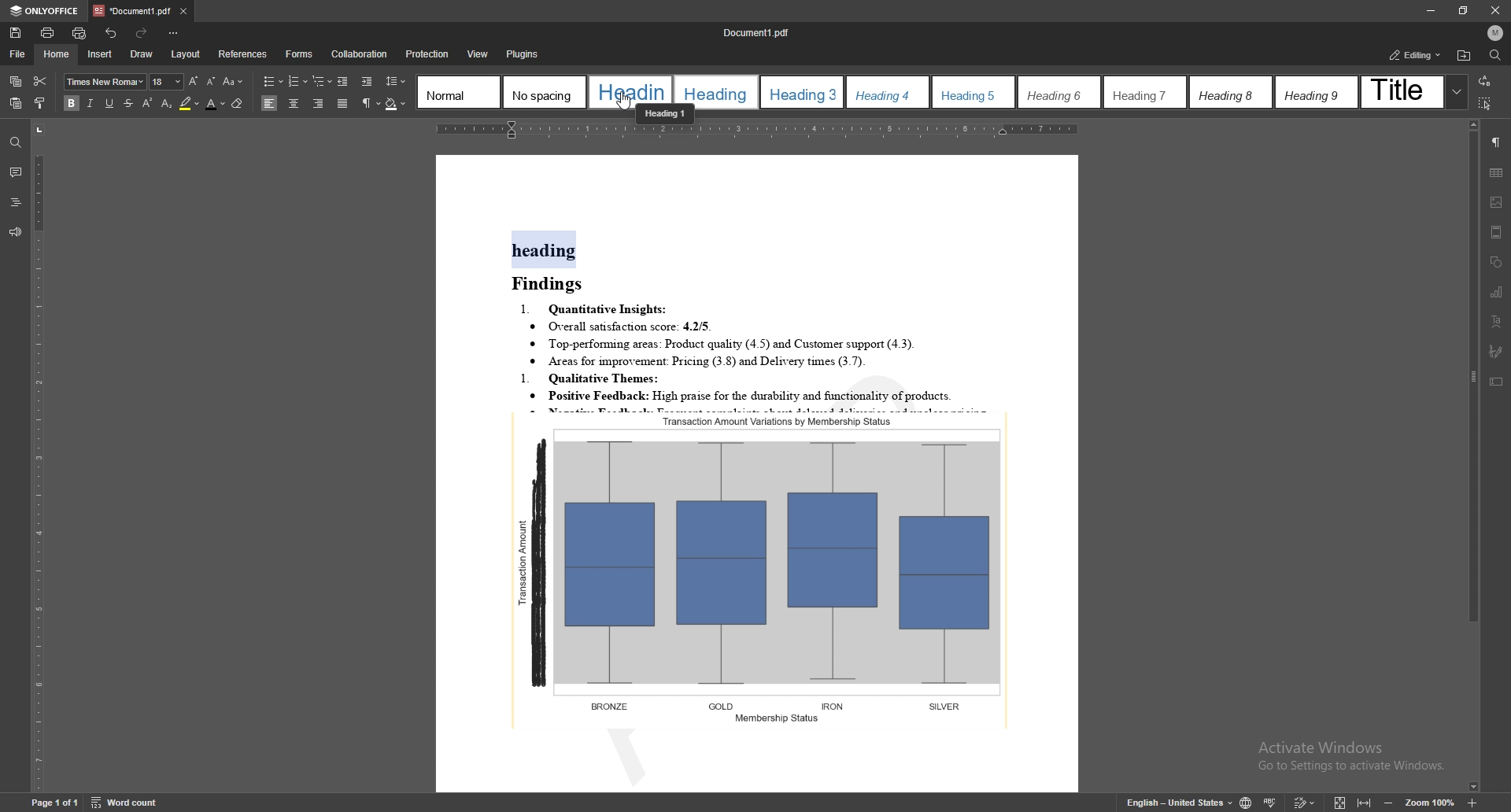  I want to click on * Positive Feedback: High praise for the durability and functionality of products., so click(767, 397).